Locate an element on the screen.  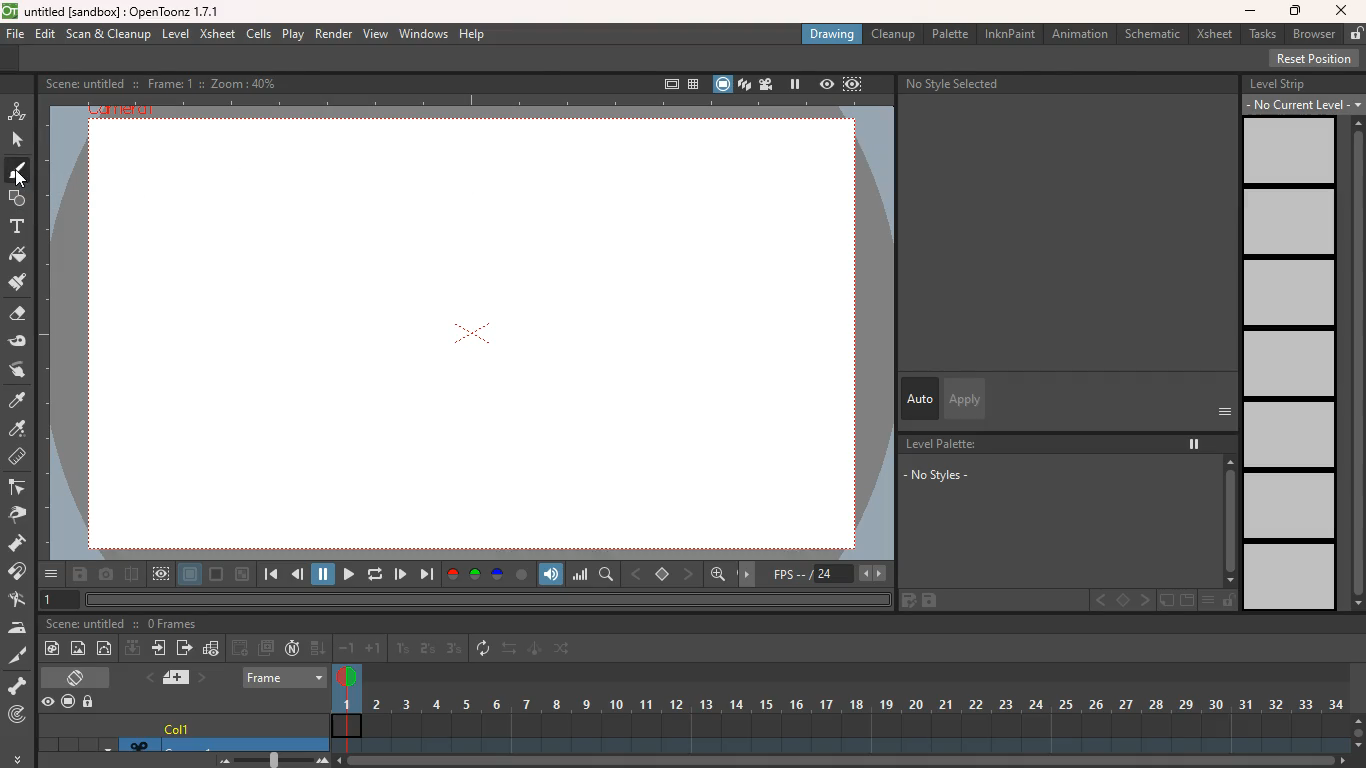
level strip is located at coordinates (1278, 83).